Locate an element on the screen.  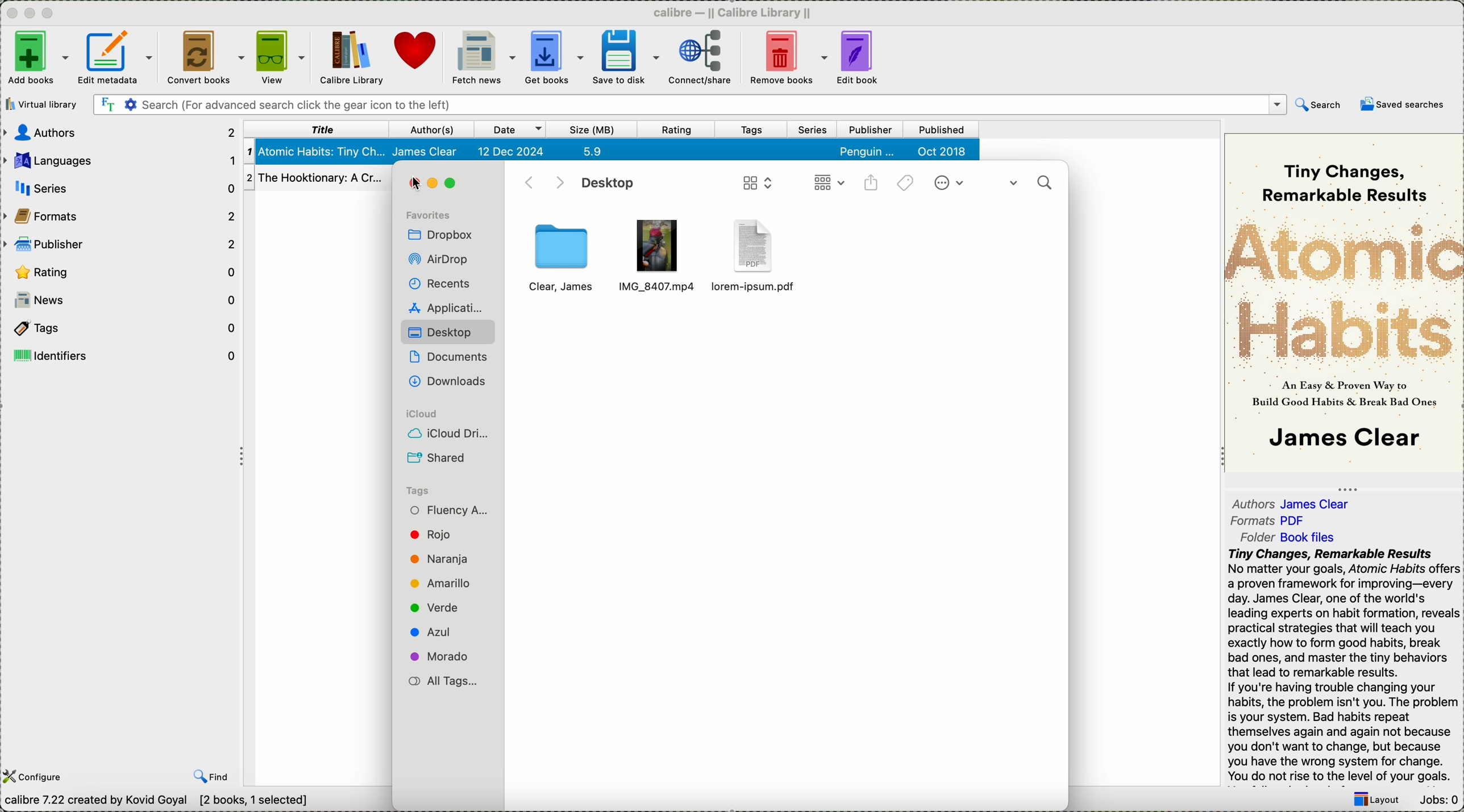
get books is located at coordinates (552, 57).